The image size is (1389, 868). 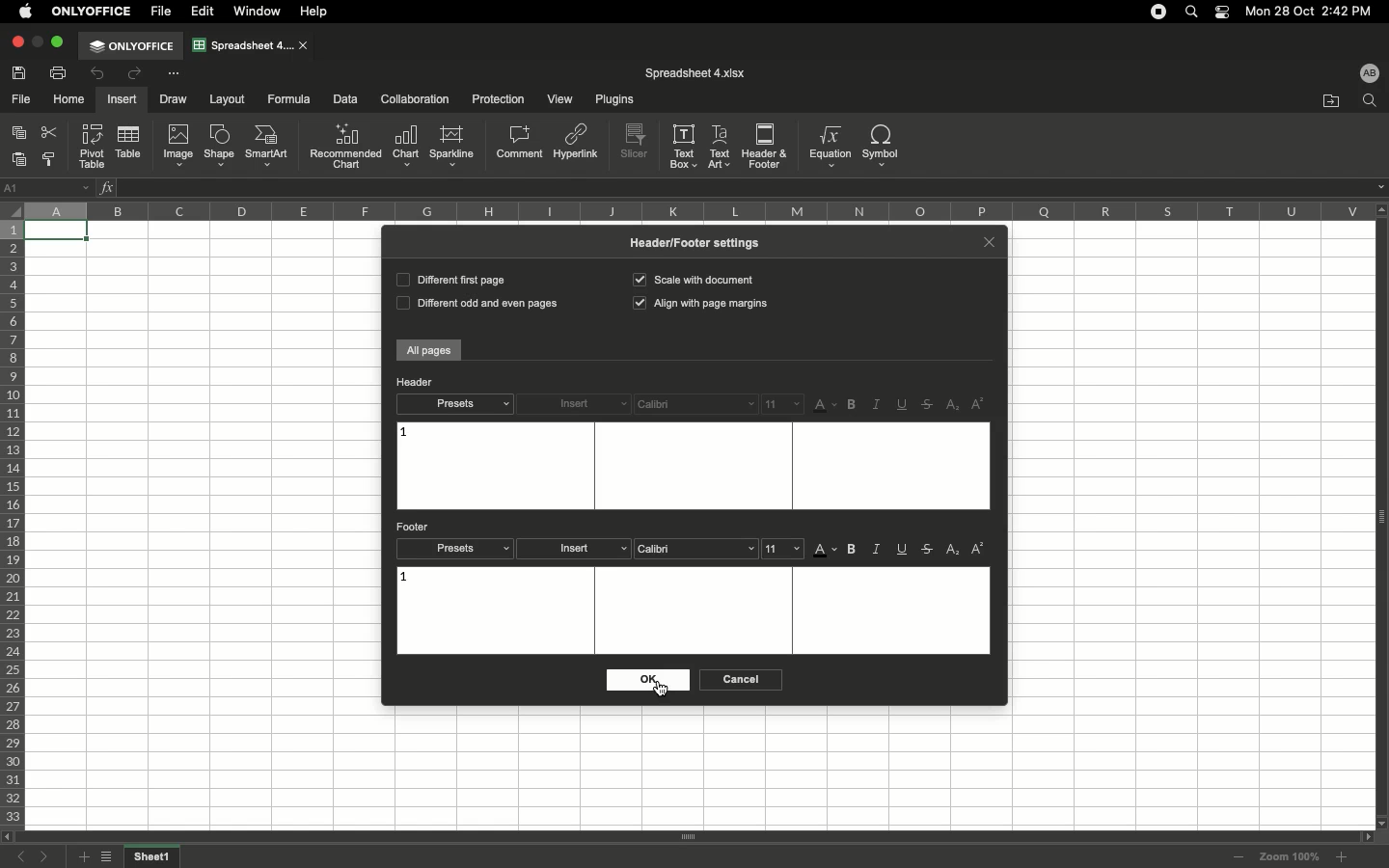 What do you see at coordinates (38, 41) in the screenshot?
I see `minimize` at bounding box center [38, 41].